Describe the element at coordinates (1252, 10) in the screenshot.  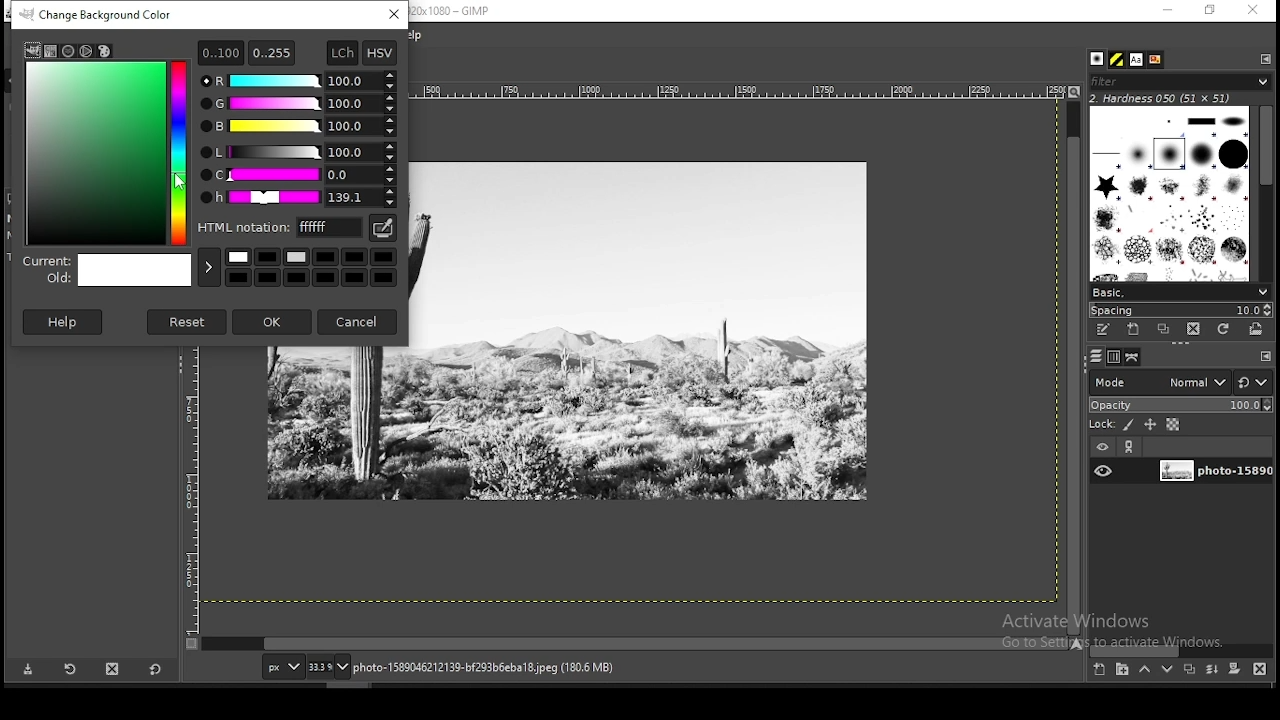
I see `close window` at that location.